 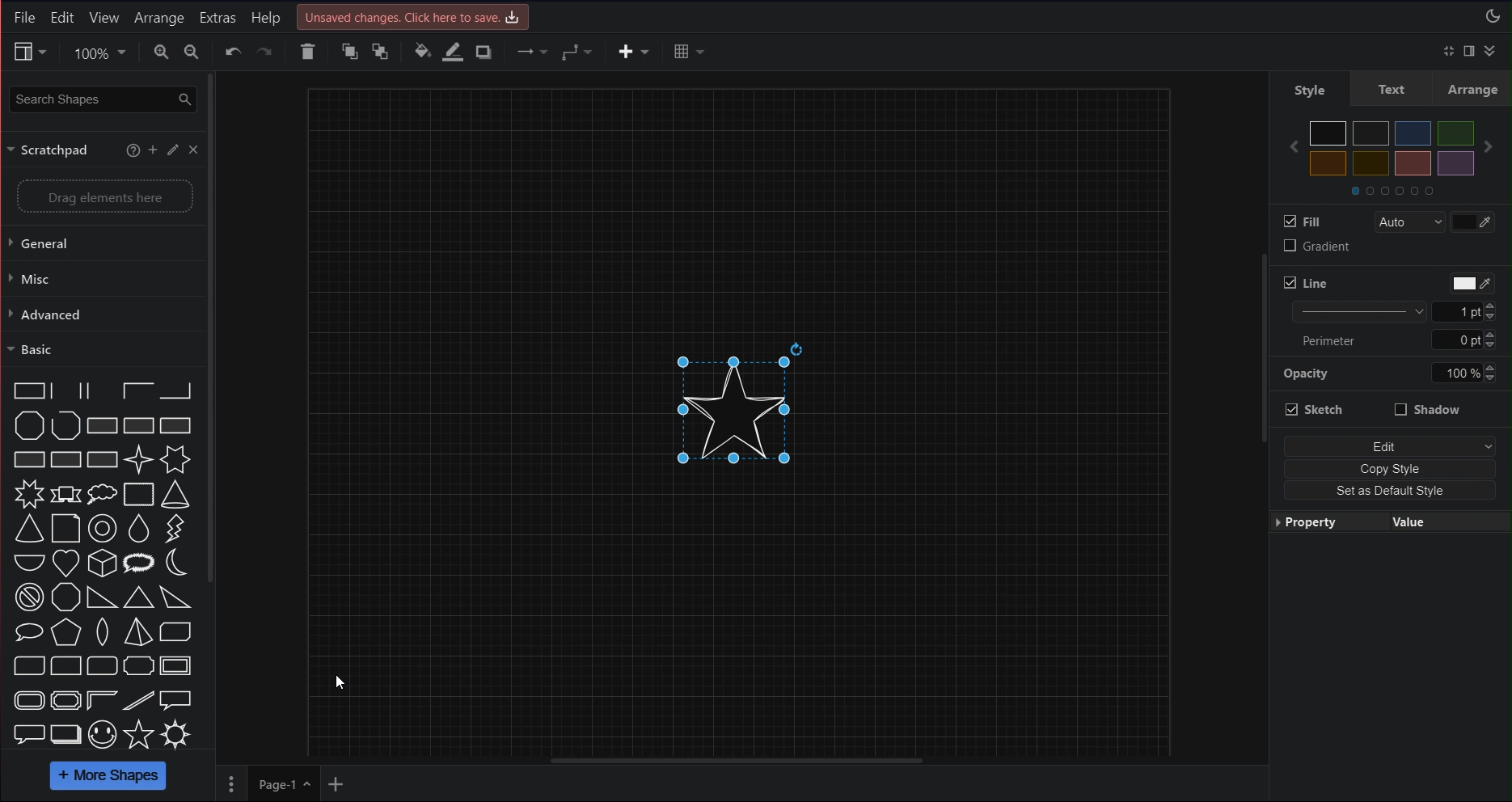 I want to click on Drag elements here, so click(x=105, y=196).